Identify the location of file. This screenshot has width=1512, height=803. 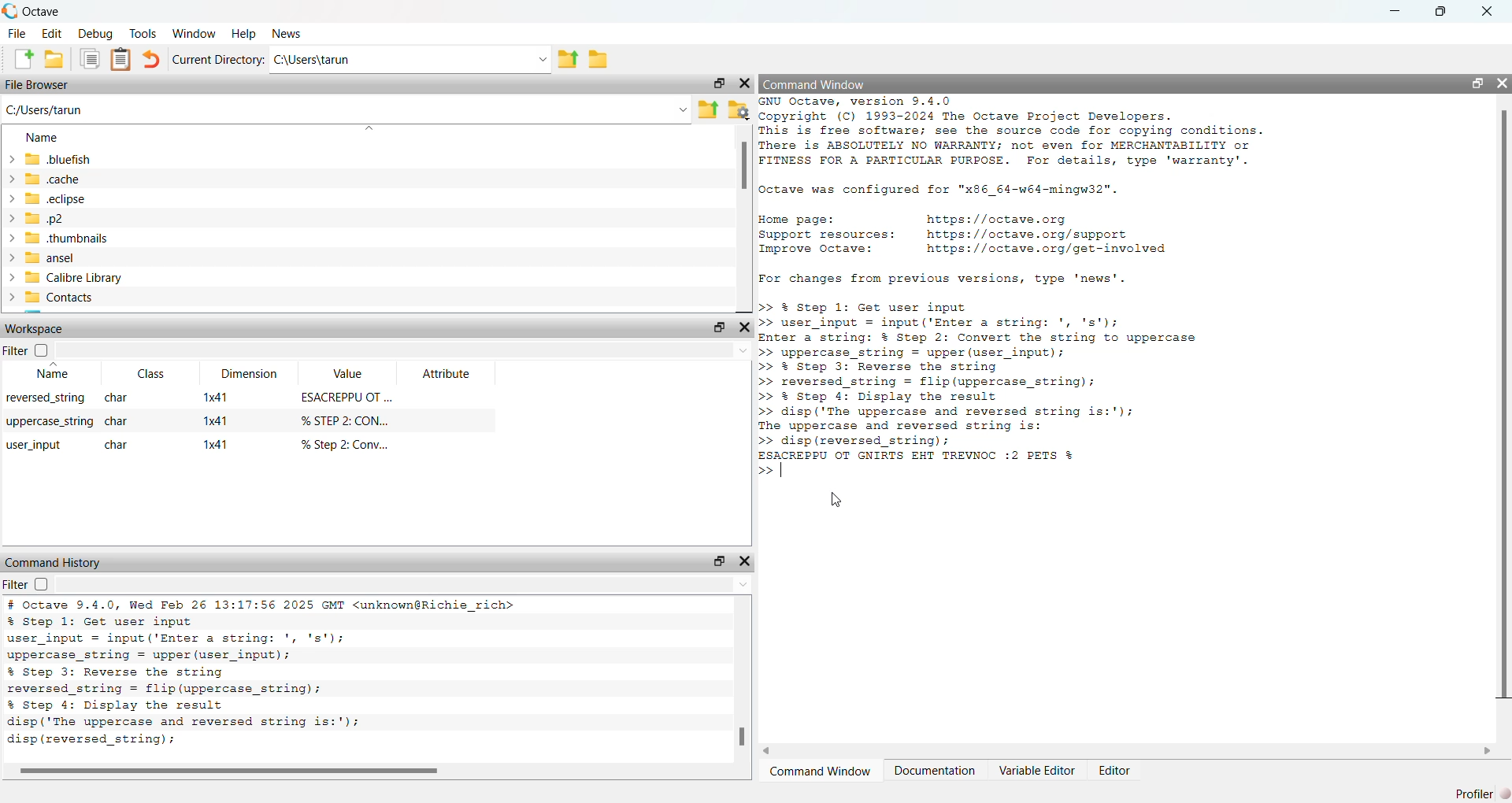
(16, 33).